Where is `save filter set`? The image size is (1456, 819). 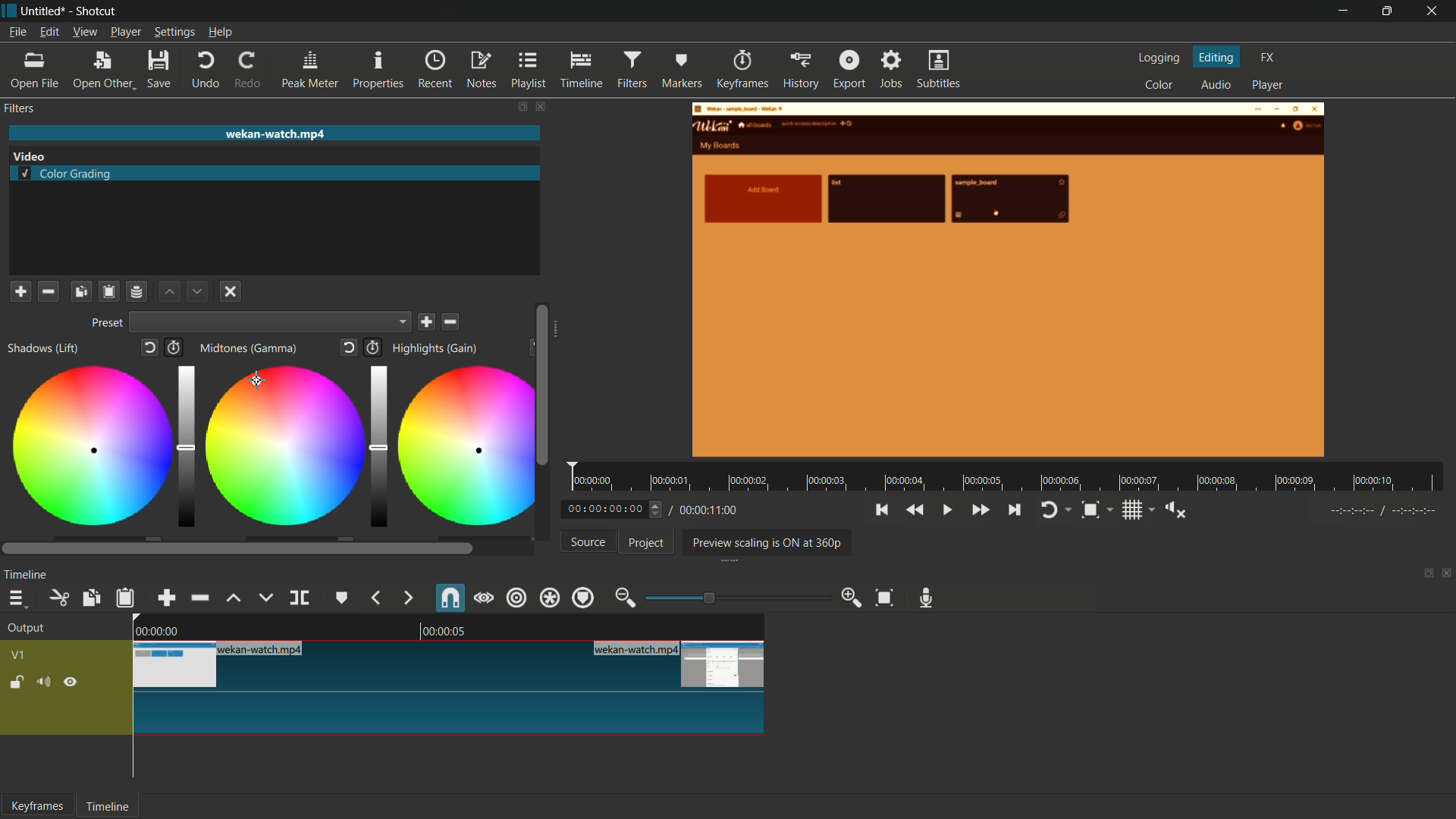 save filter set is located at coordinates (139, 292).